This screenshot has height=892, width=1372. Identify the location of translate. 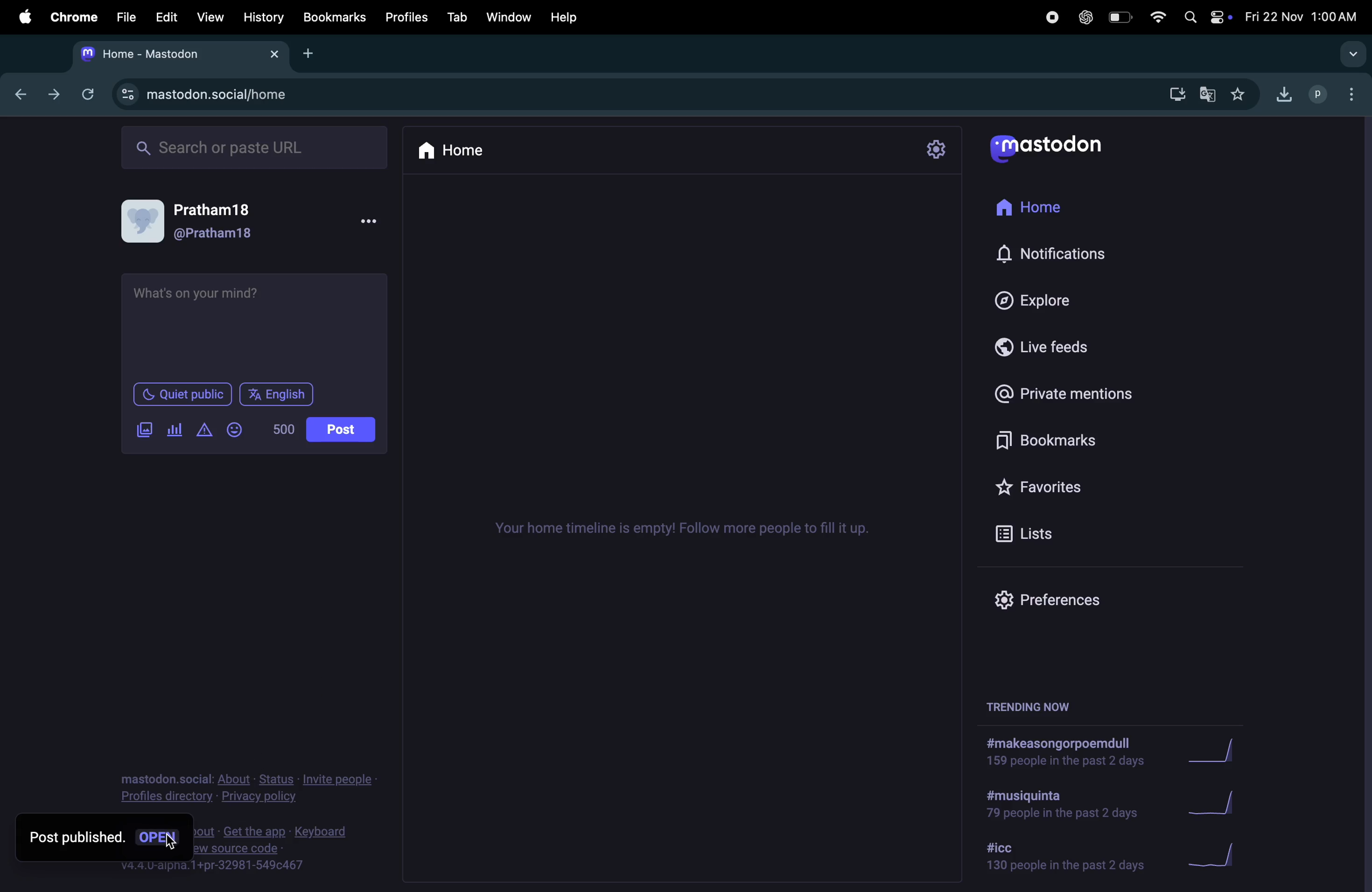
(1208, 93).